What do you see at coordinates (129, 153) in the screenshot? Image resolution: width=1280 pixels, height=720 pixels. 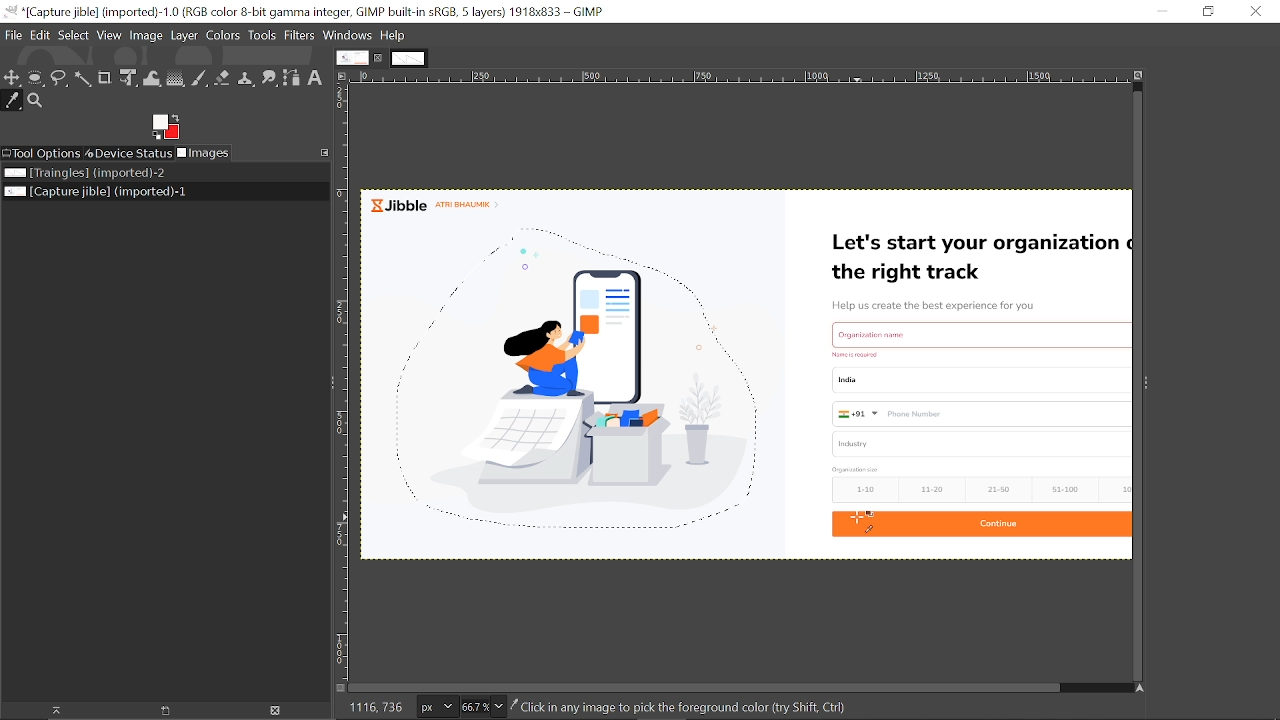 I see `Device status` at bounding box center [129, 153].